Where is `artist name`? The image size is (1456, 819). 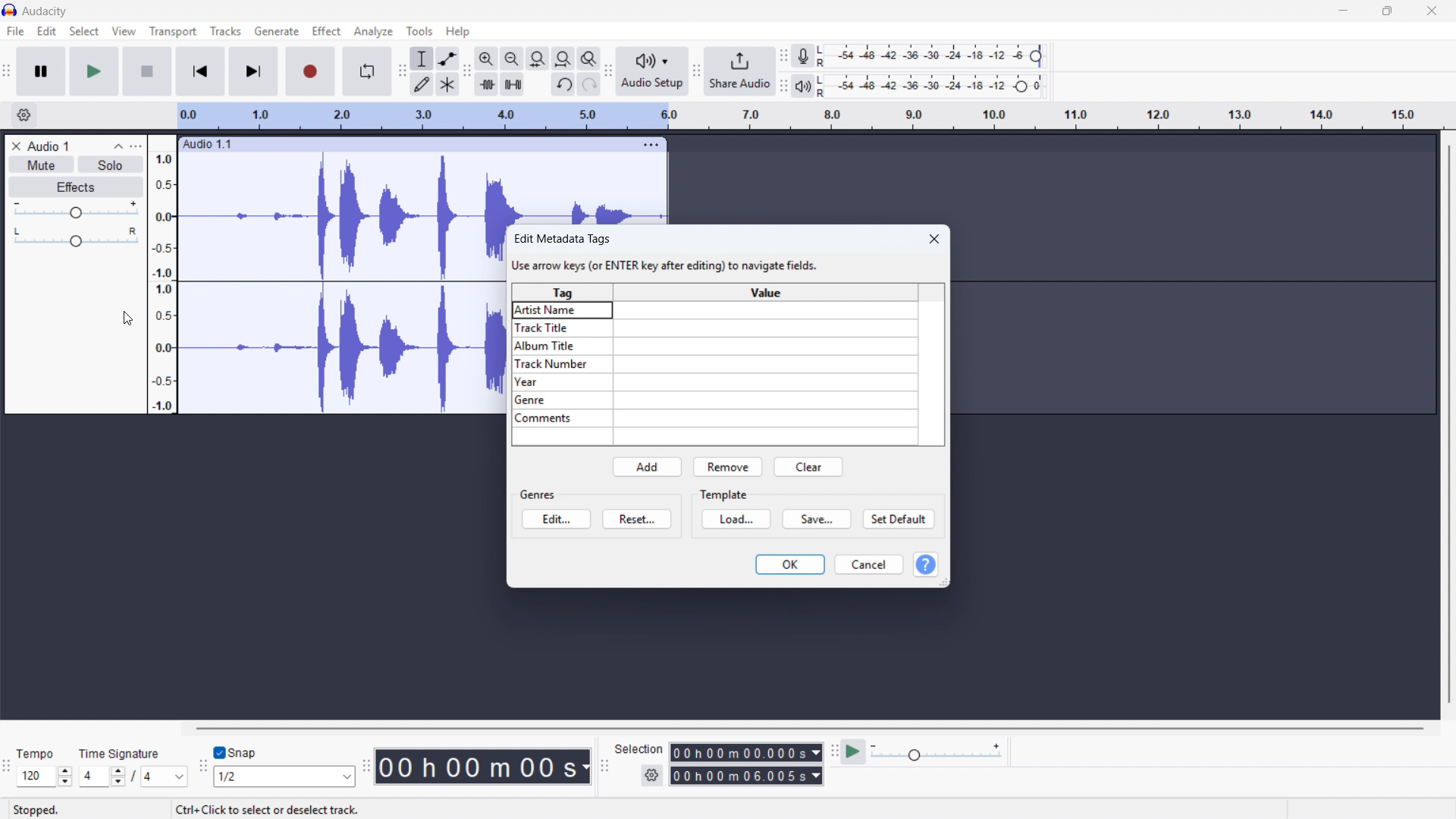 artist name is located at coordinates (714, 309).